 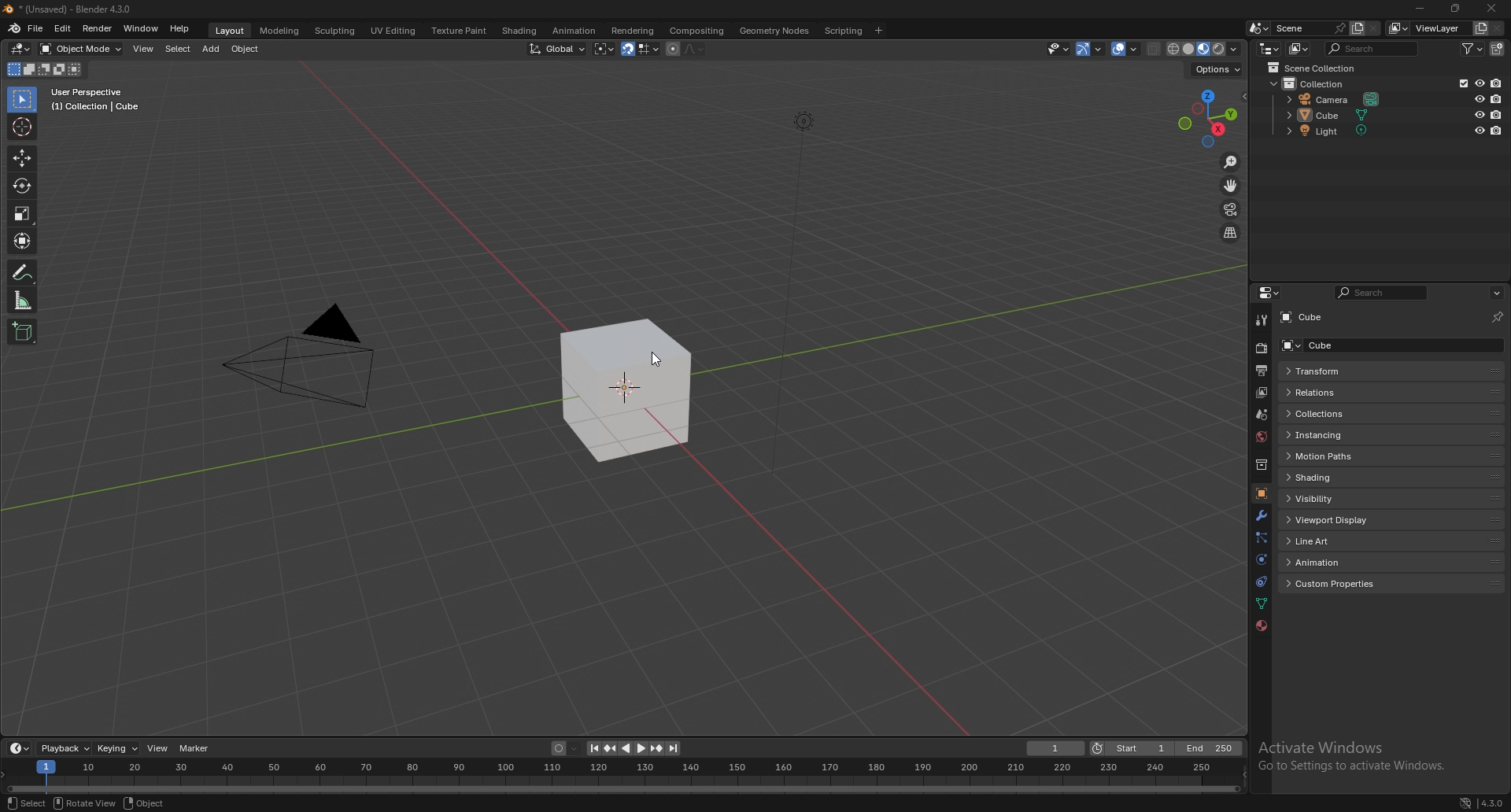 I want to click on help, so click(x=180, y=28).